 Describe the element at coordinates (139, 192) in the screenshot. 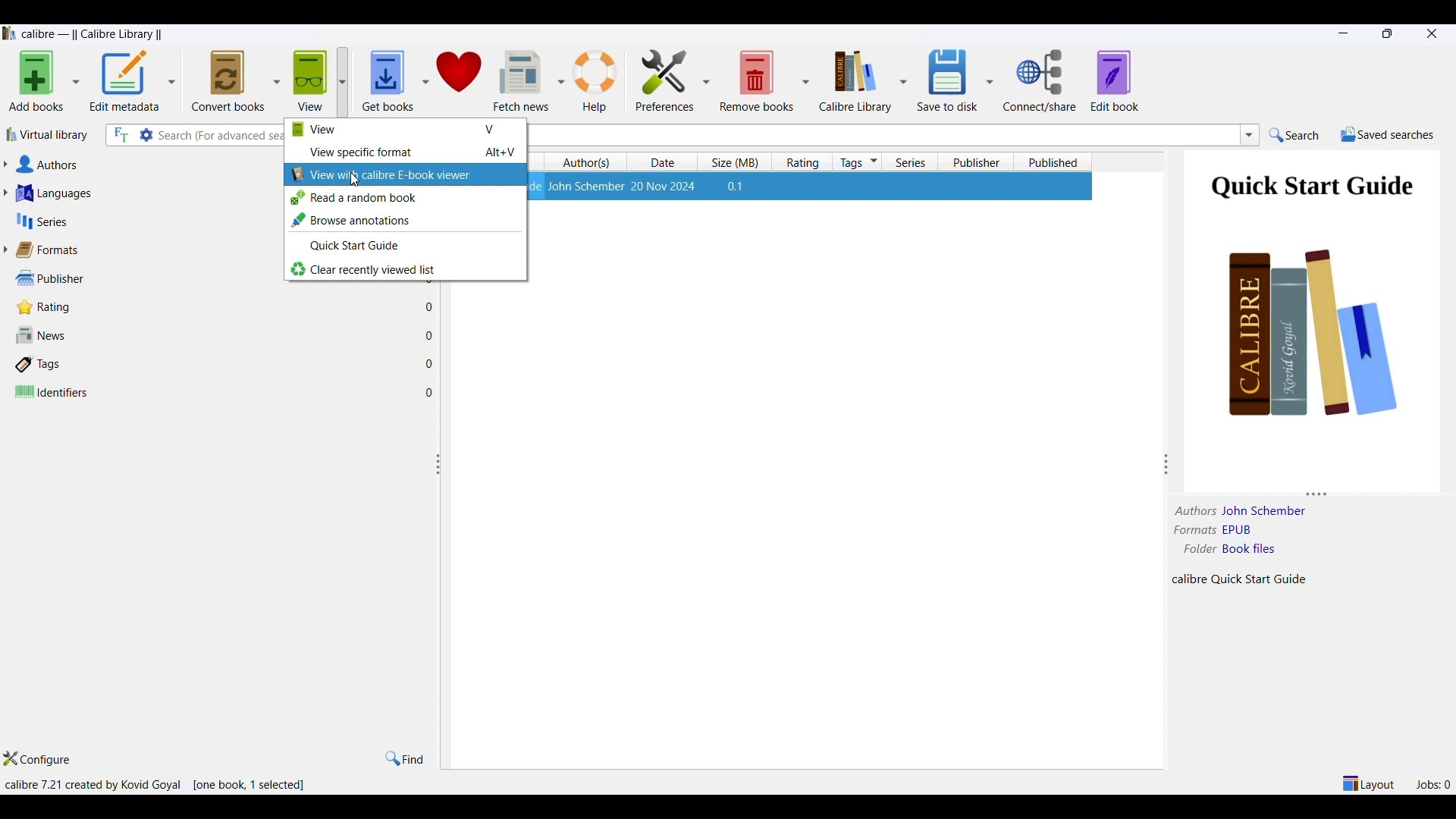

I see `languages` at that location.